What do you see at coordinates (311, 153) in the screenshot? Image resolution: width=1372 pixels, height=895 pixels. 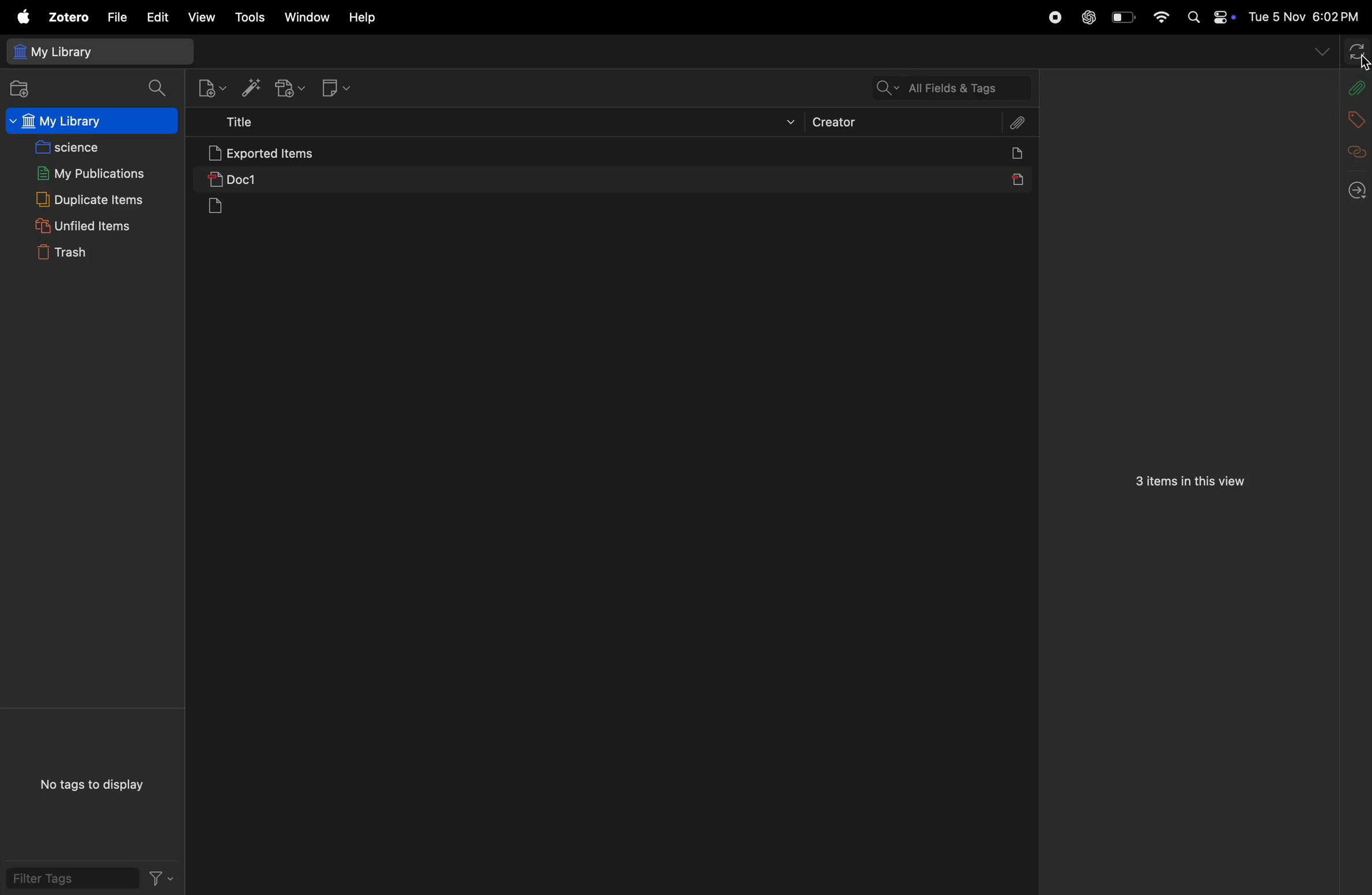 I see `exported items` at bounding box center [311, 153].